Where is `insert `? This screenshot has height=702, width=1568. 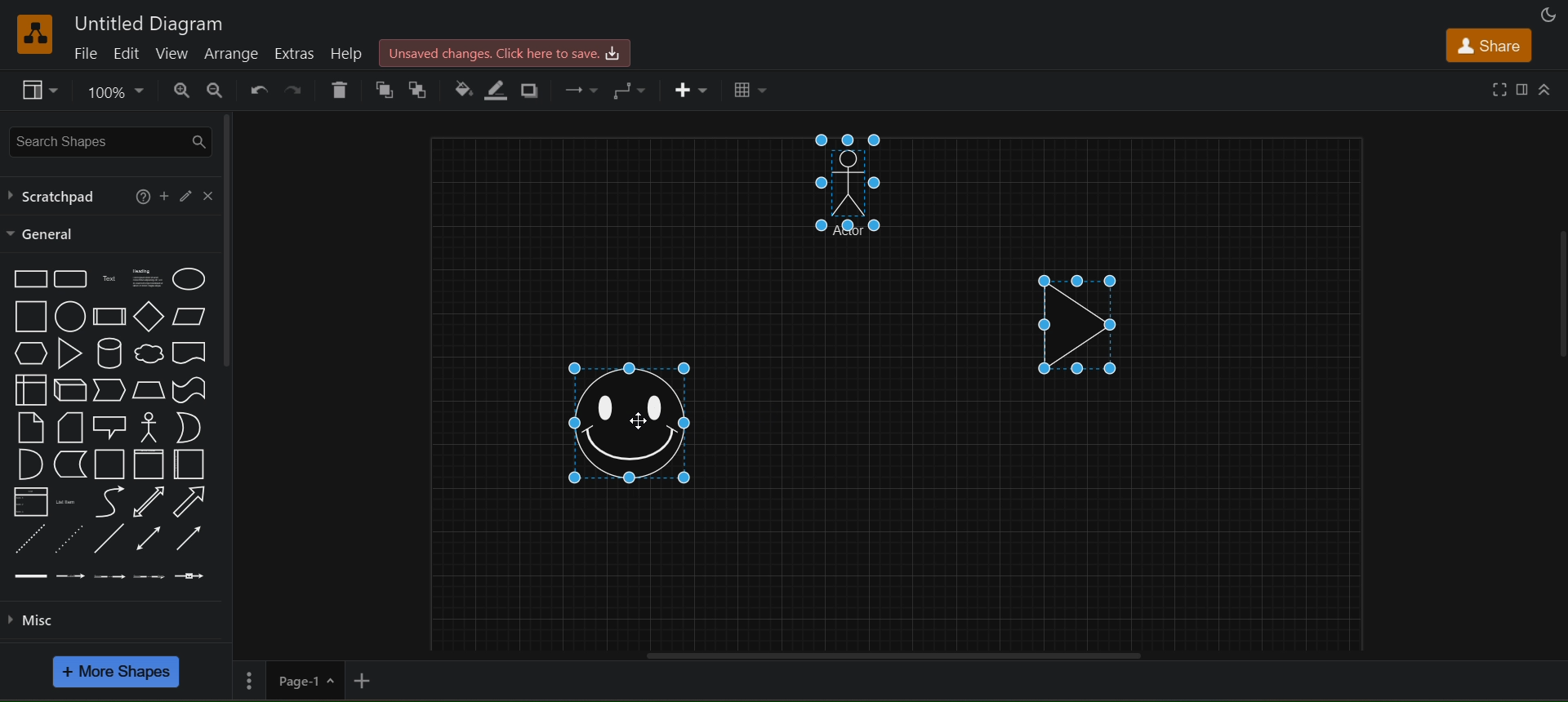
insert  is located at coordinates (693, 91).